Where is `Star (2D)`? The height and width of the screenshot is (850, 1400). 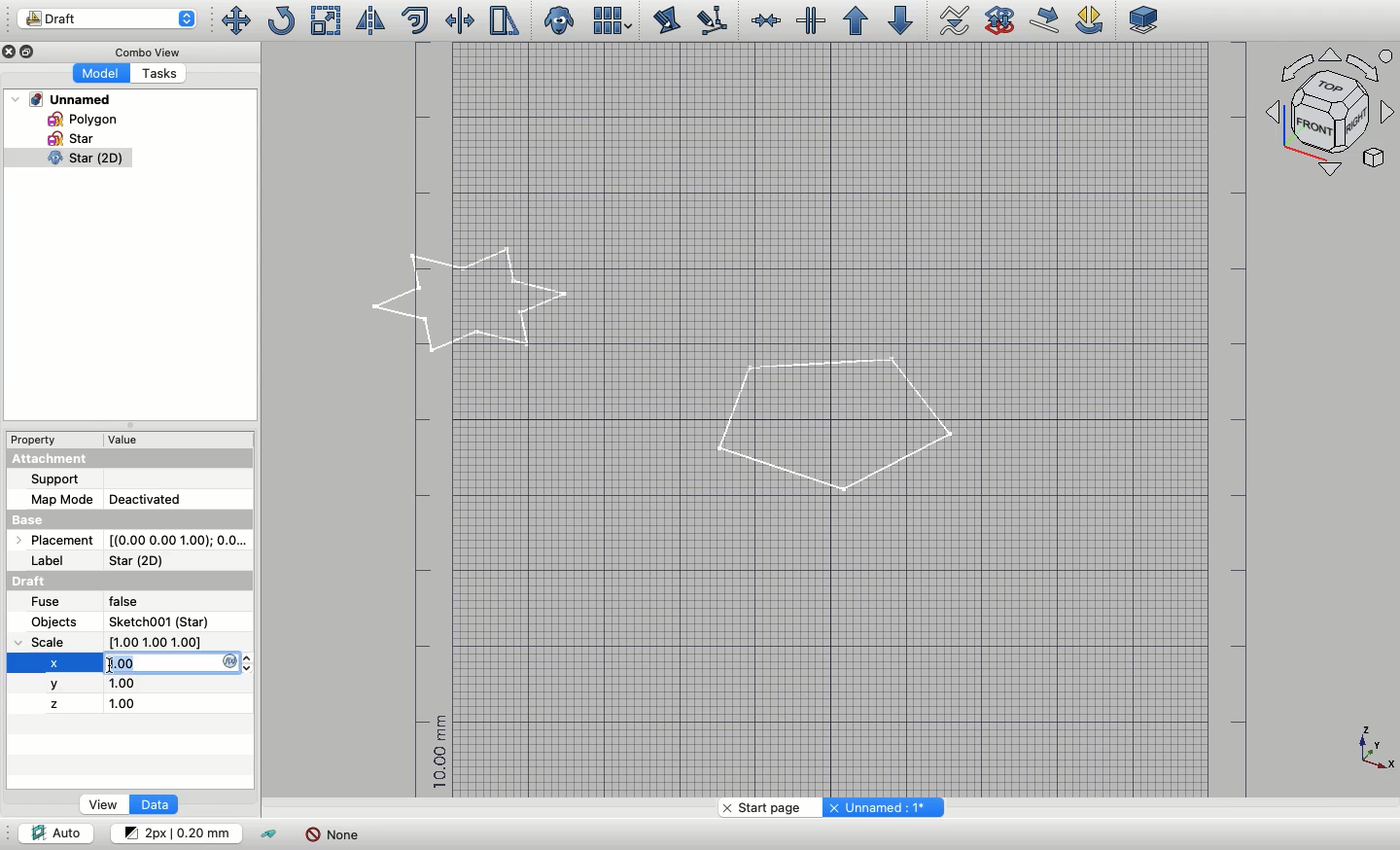
Star (2D) is located at coordinates (139, 561).